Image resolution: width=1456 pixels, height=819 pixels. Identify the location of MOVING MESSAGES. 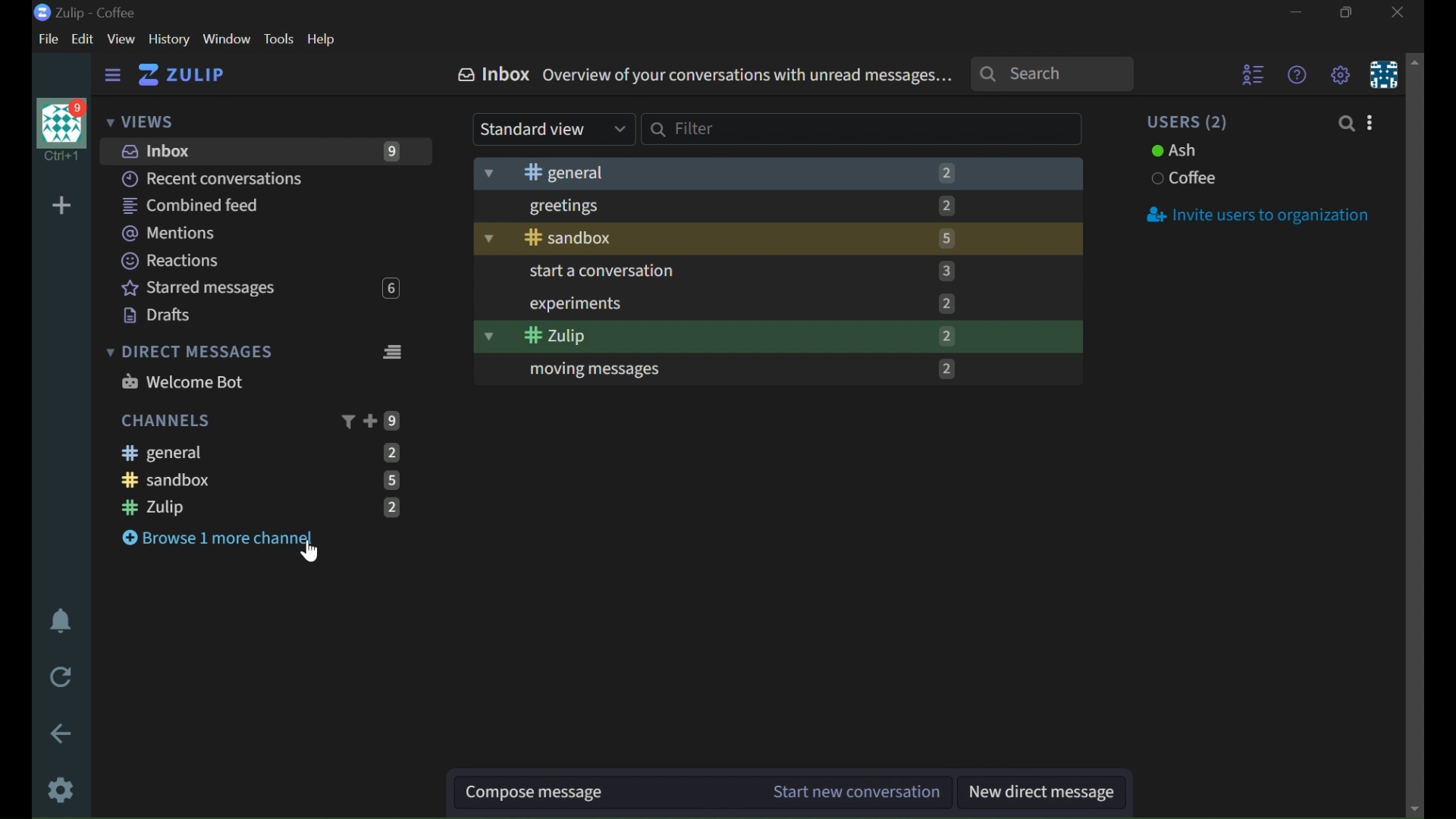
(779, 369).